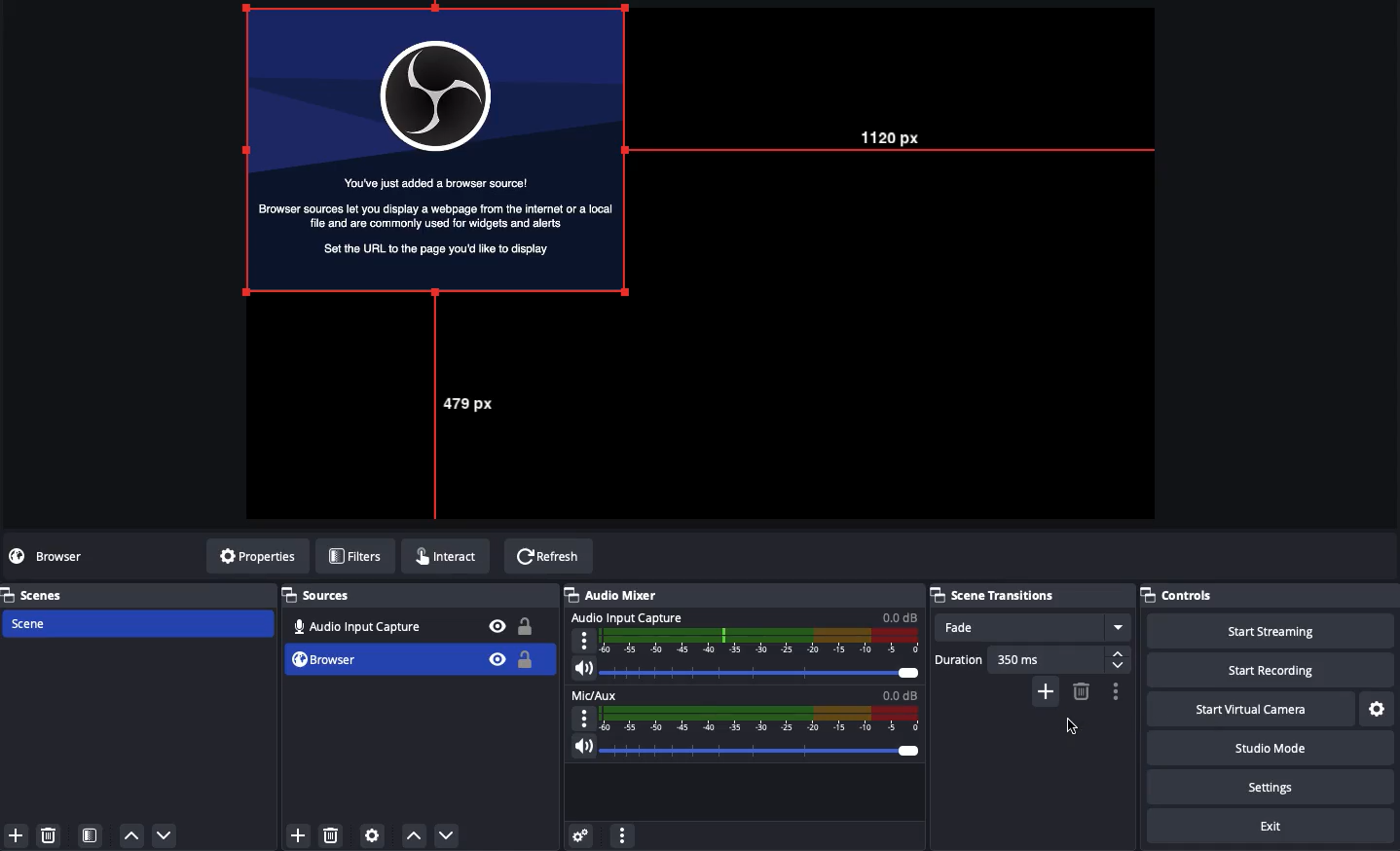  I want to click on Studio, so click(1269, 748).